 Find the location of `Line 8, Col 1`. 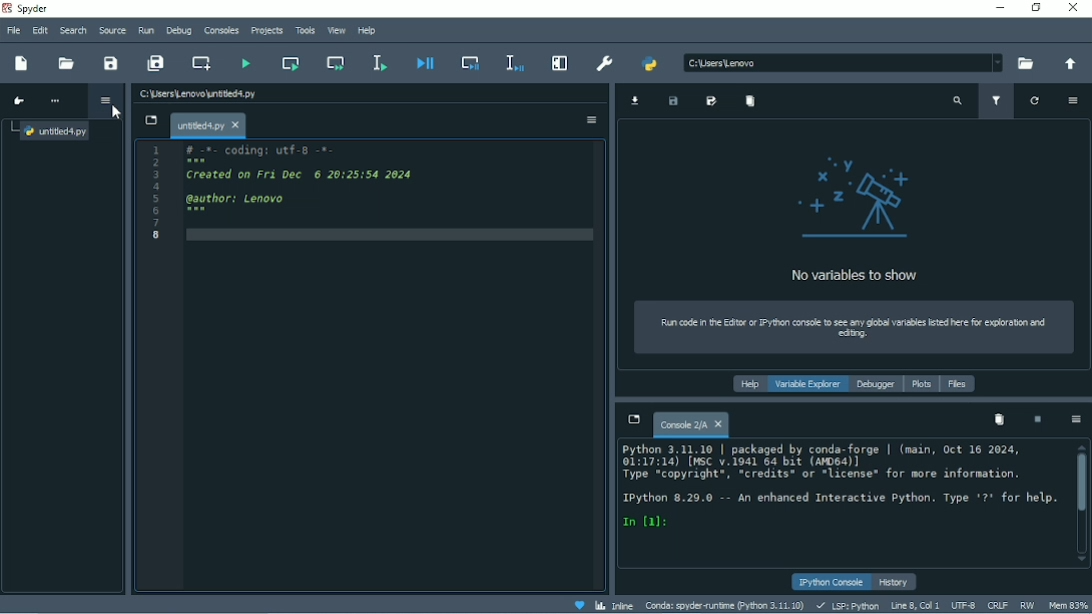

Line 8, Col 1 is located at coordinates (914, 605).